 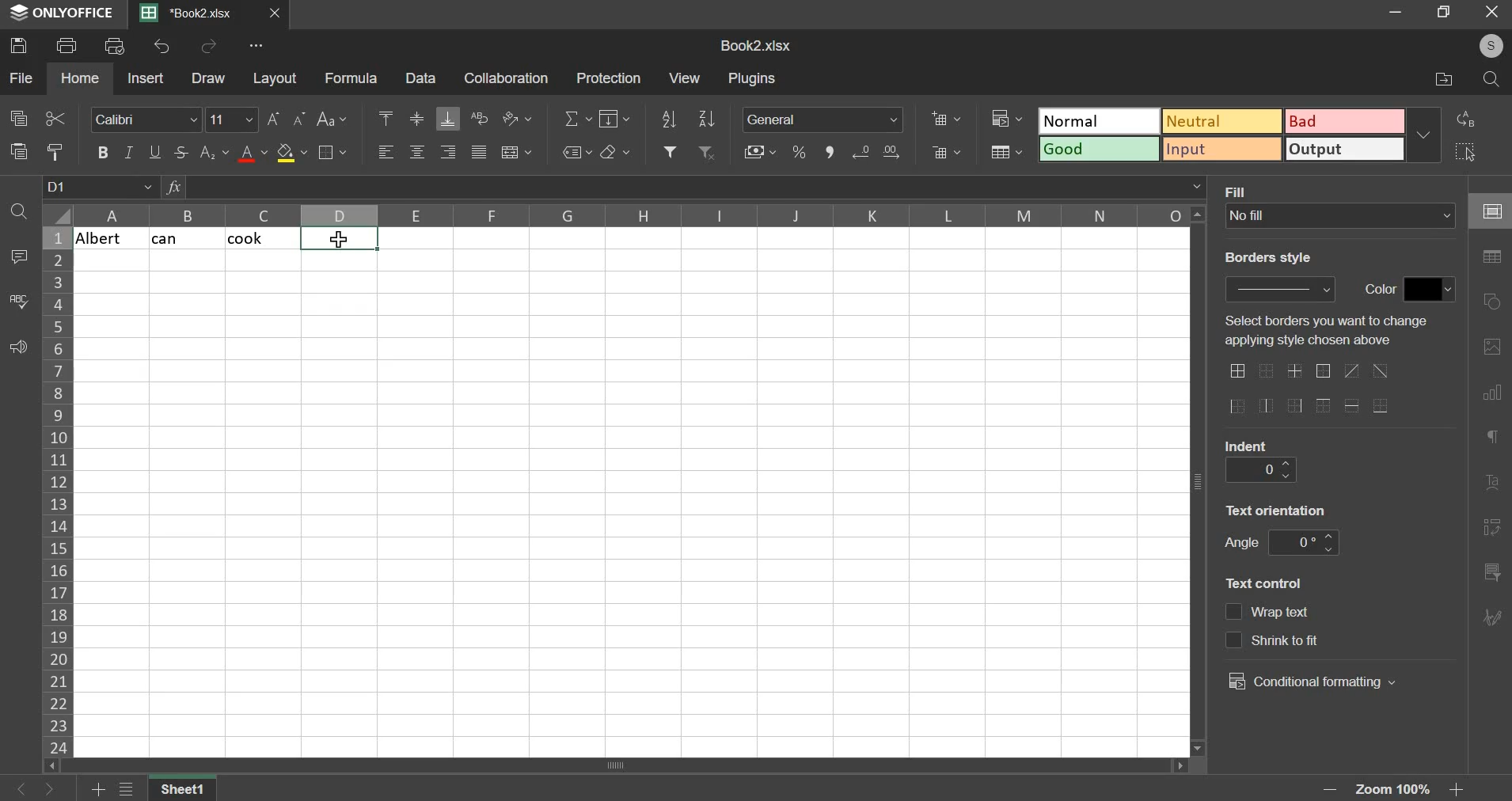 I want to click on picture or video, so click(x=1491, y=348).